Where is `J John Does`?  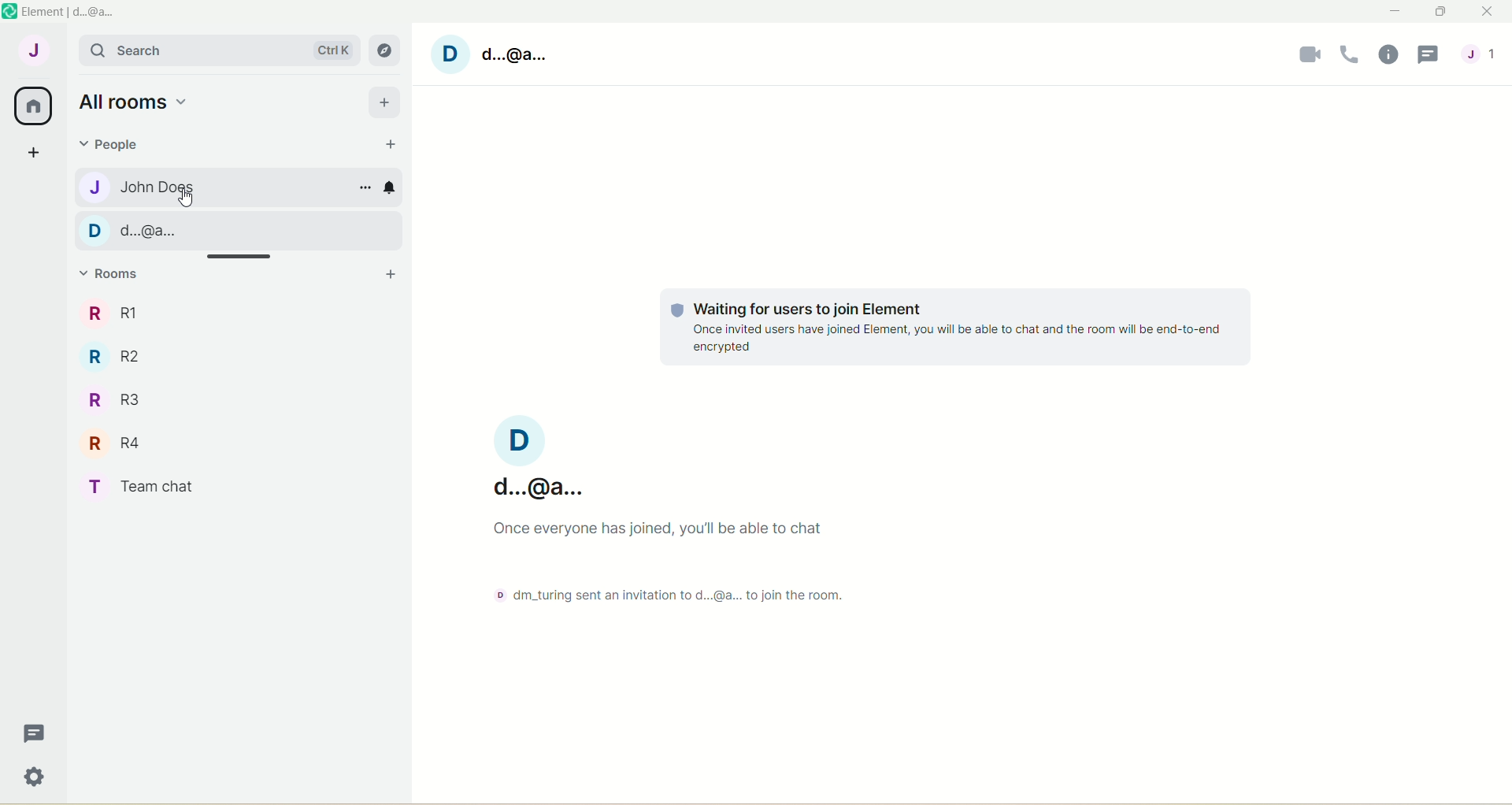 J John Does is located at coordinates (155, 187).